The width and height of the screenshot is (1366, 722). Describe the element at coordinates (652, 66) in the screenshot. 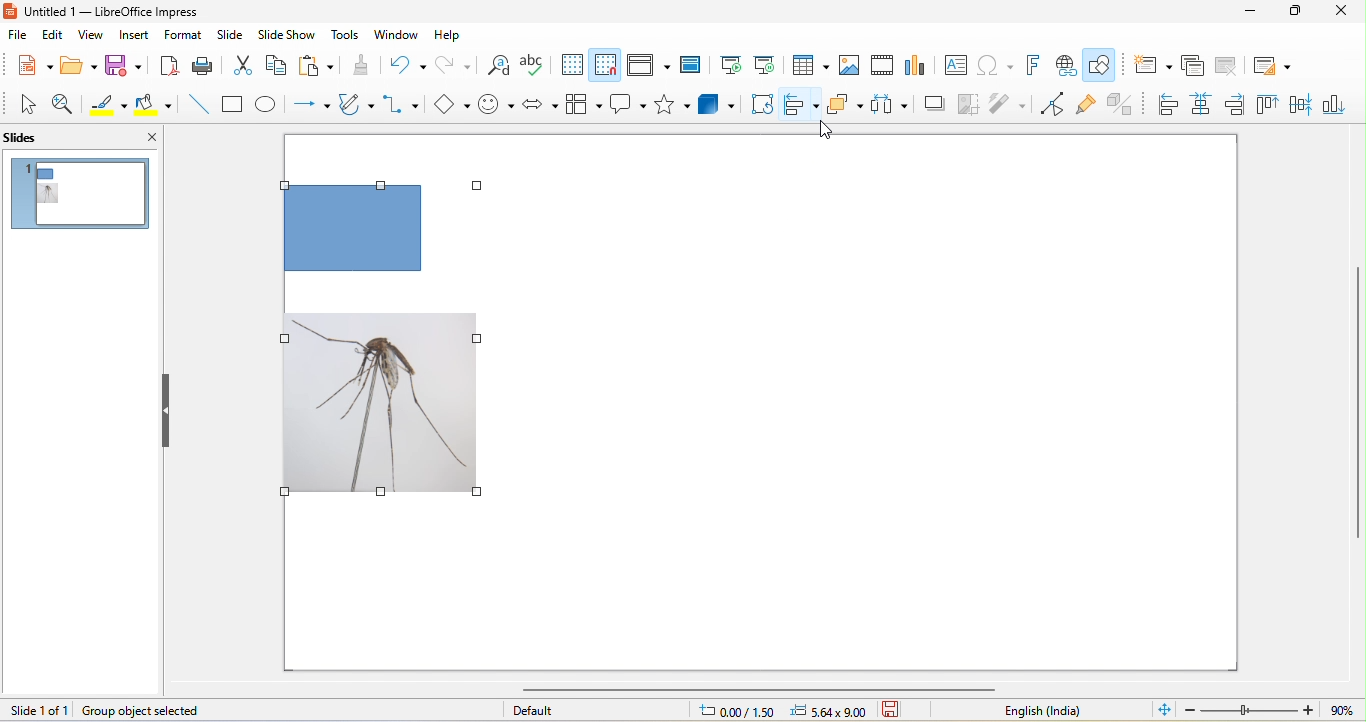

I see `display view` at that location.